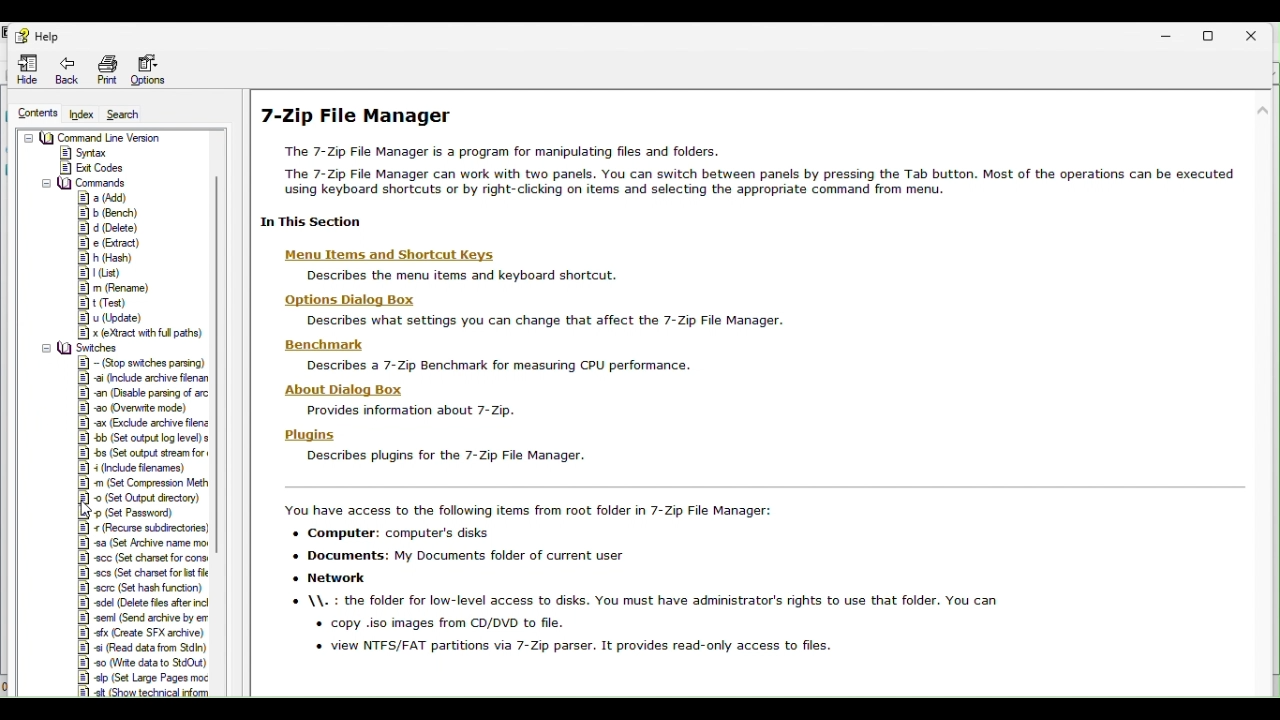 The height and width of the screenshot is (720, 1280). I want to click on , so click(62, 70).